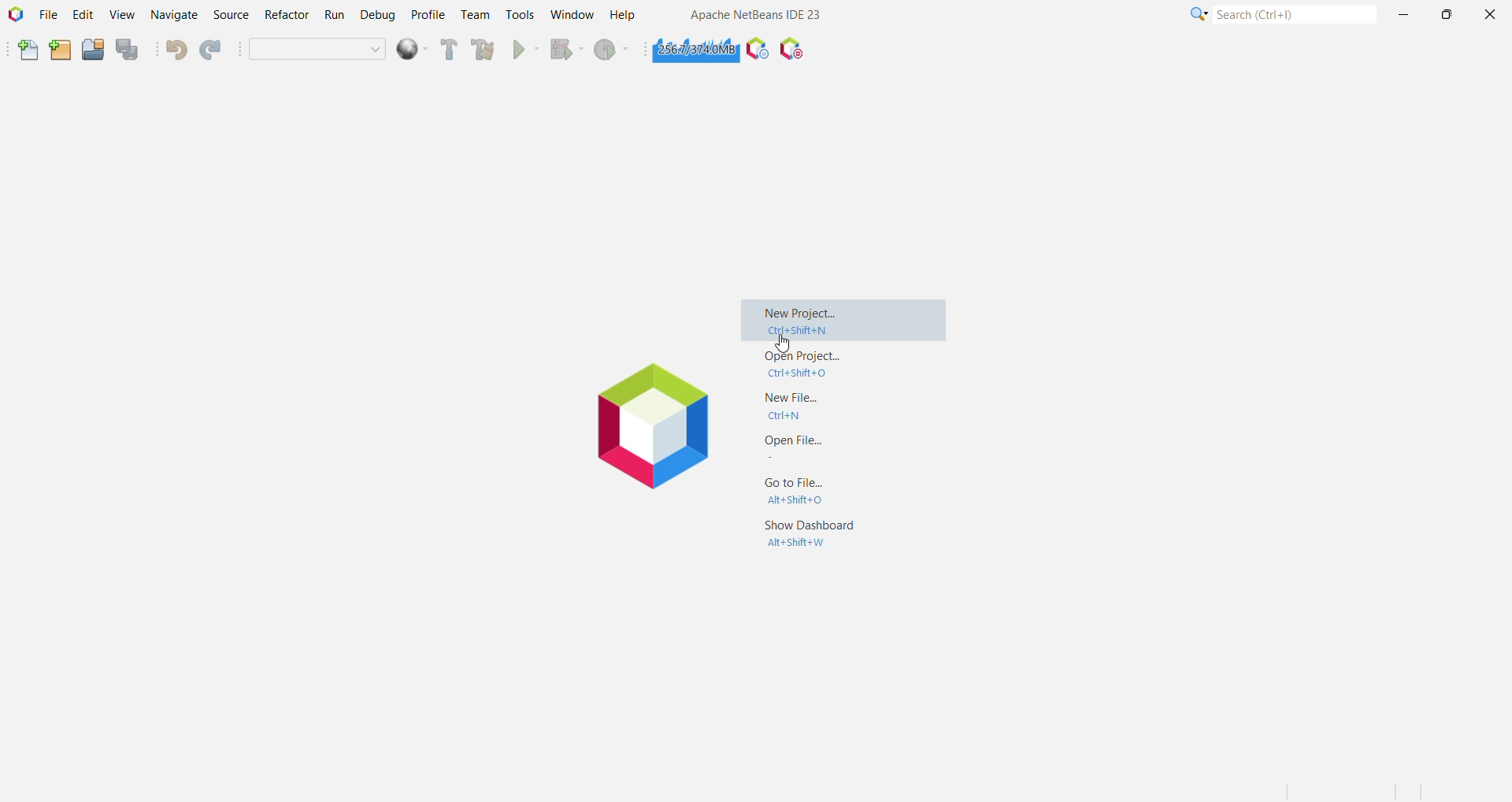 This screenshot has height=802, width=1512. Describe the element at coordinates (176, 51) in the screenshot. I see `Undo` at that location.